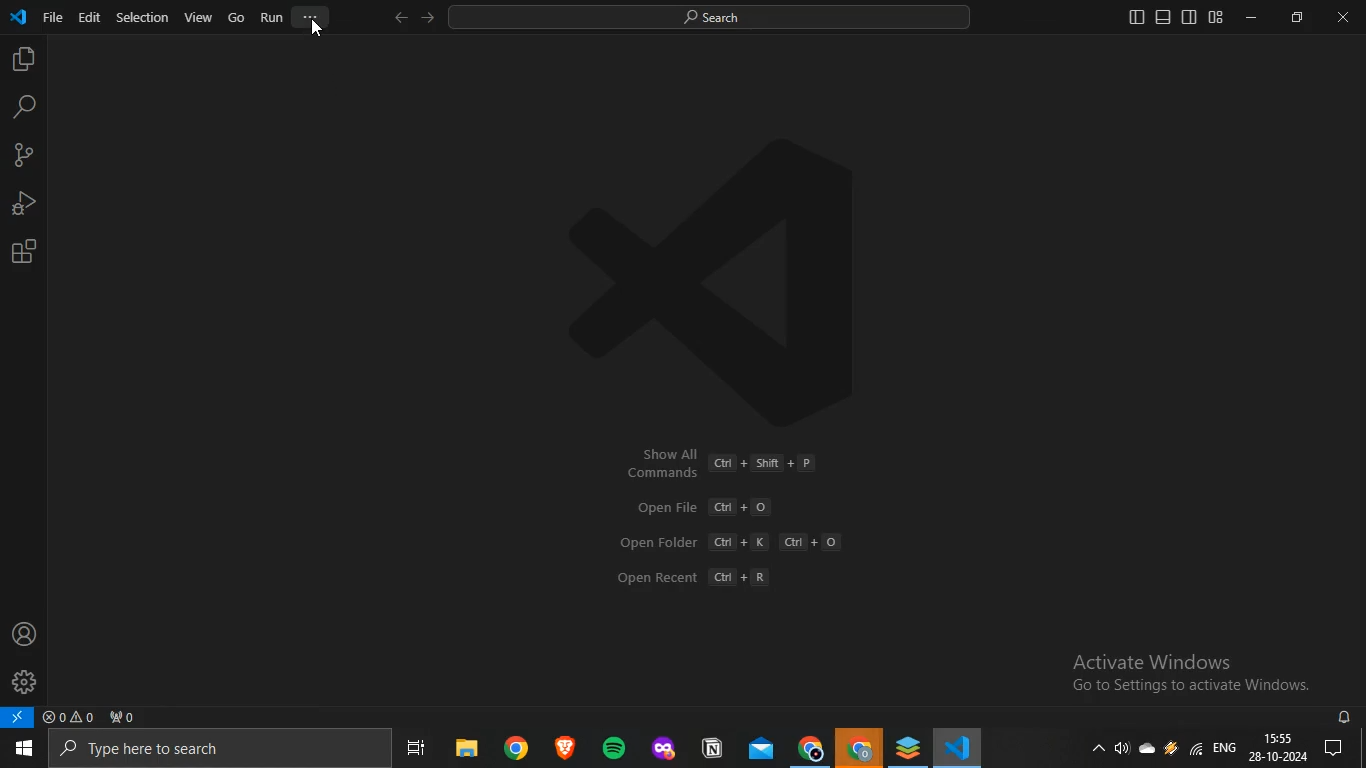  What do you see at coordinates (89, 17) in the screenshot?
I see `edit` at bounding box center [89, 17].